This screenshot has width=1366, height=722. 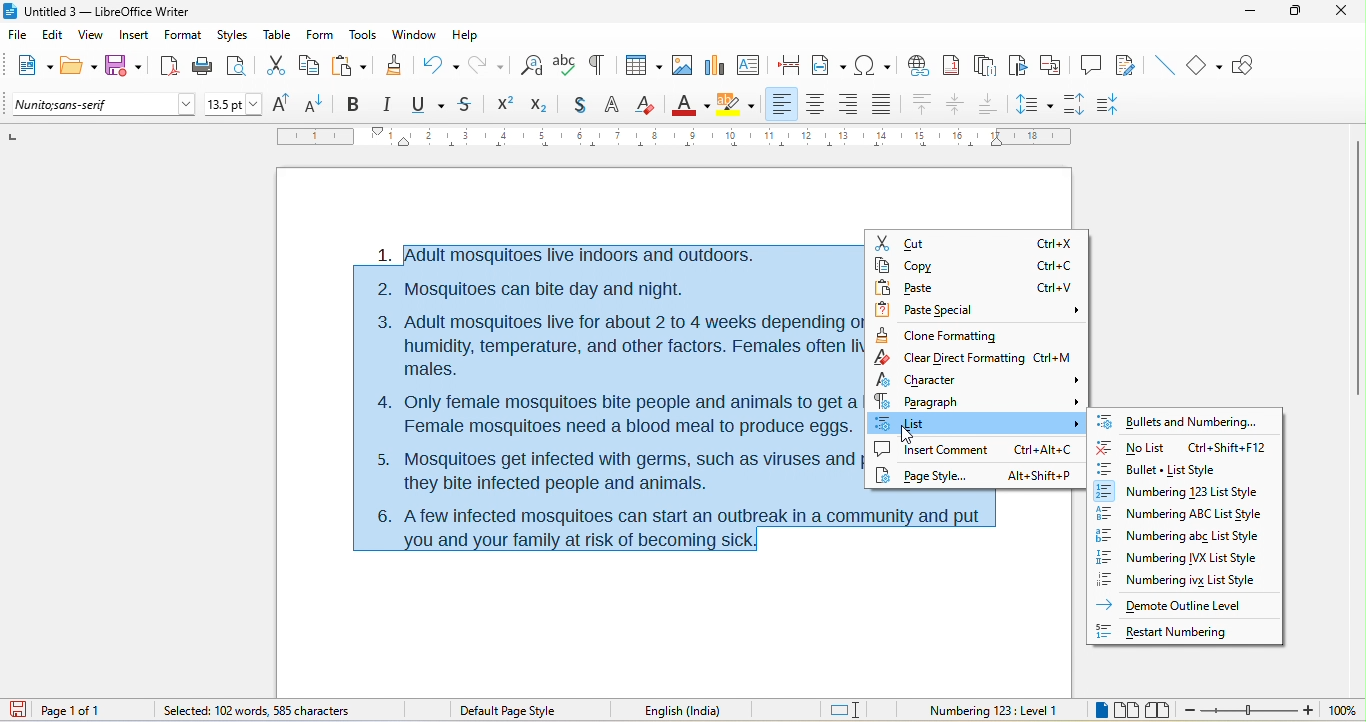 What do you see at coordinates (1357, 266) in the screenshot?
I see `vertical scroll bar` at bounding box center [1357, 266].